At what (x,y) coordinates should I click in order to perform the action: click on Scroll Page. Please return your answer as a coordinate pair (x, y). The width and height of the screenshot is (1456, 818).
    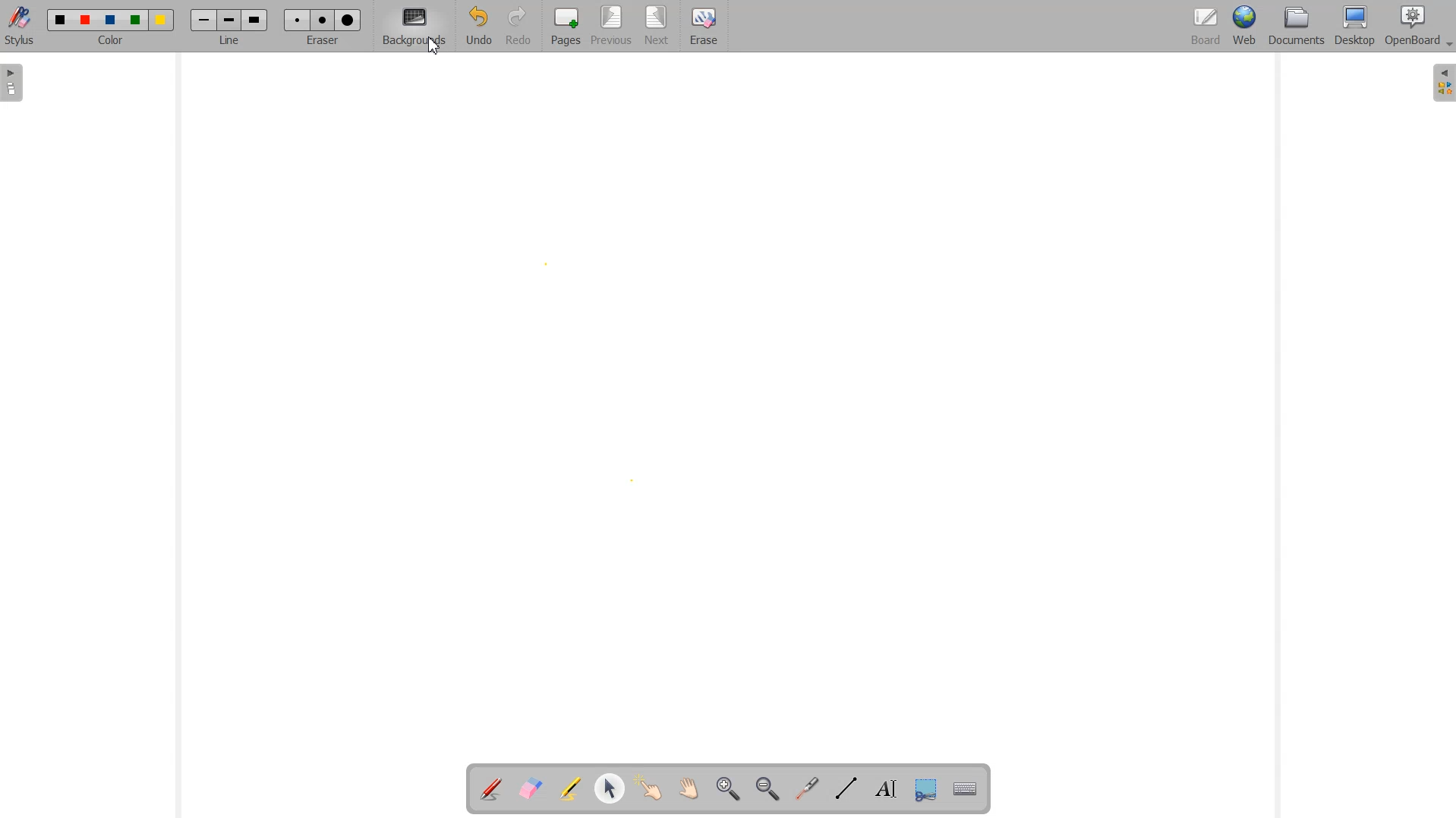
    Looking at the image, I should click on (689, 790).